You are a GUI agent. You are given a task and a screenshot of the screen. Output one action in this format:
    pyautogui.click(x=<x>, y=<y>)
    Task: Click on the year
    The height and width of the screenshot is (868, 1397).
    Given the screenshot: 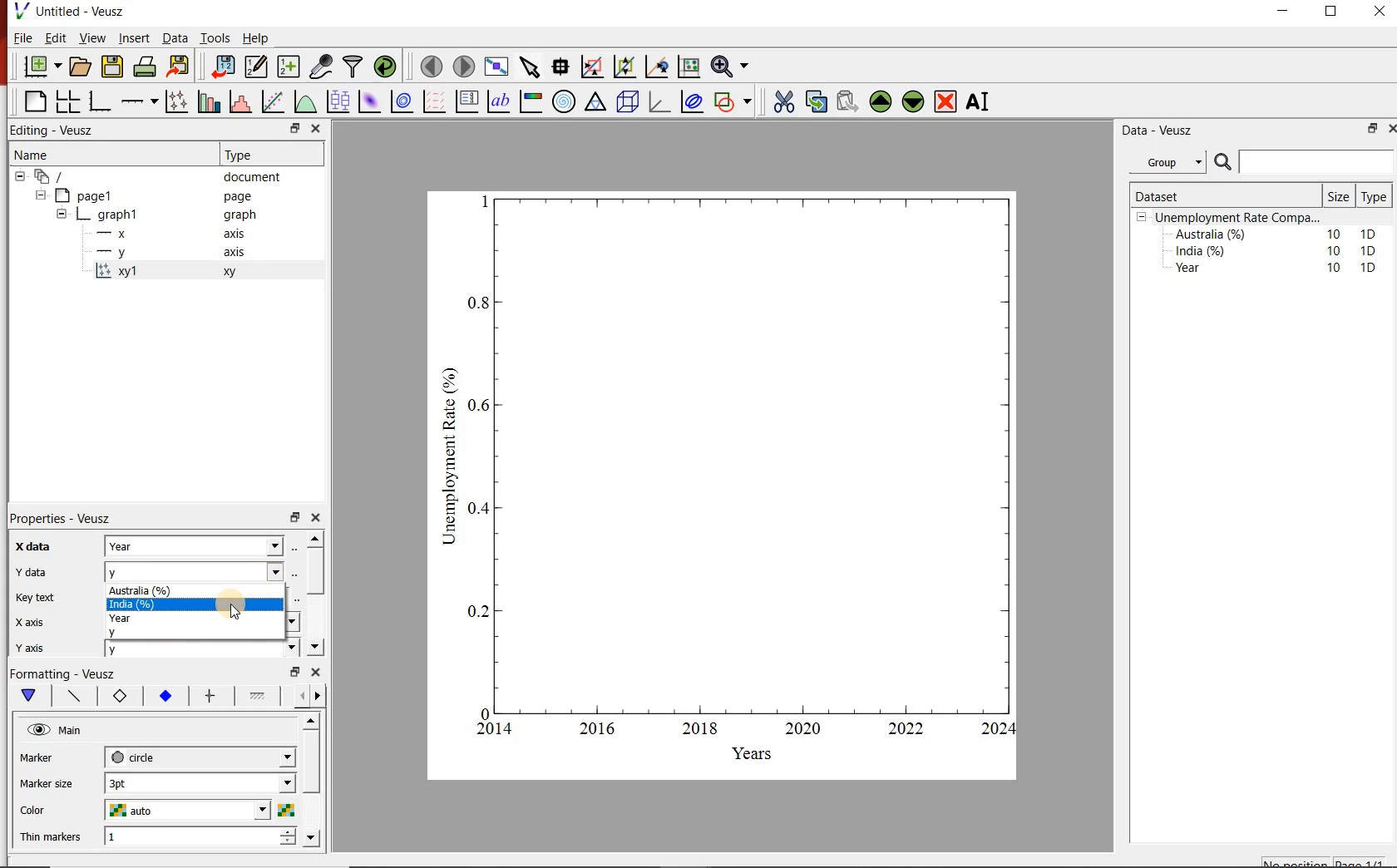 What is the action you would take?
    pyautogui.click(x=197, y=619)
    